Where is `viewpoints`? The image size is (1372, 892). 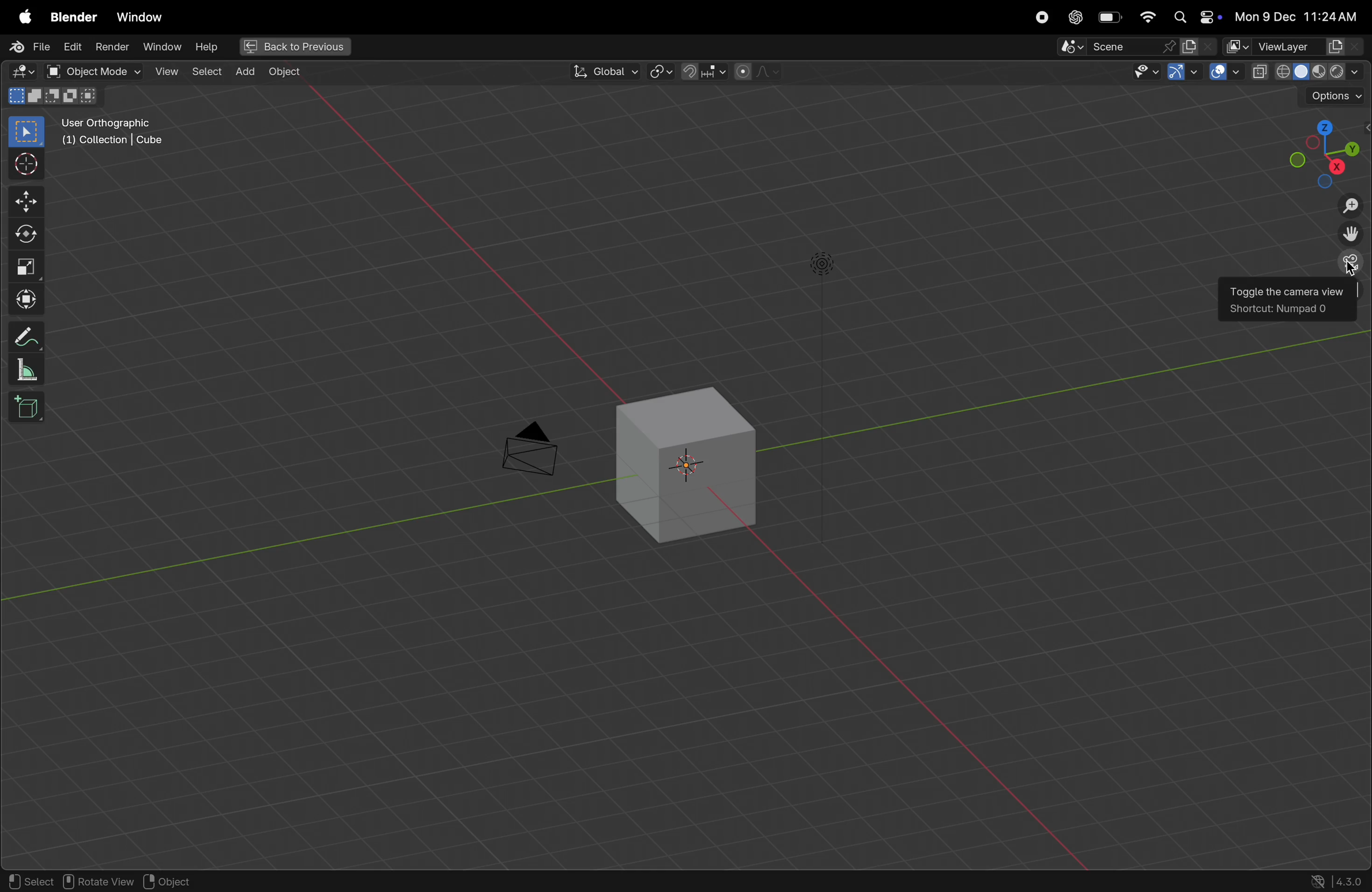
viewpoints is located at coordinates (1326, 151).